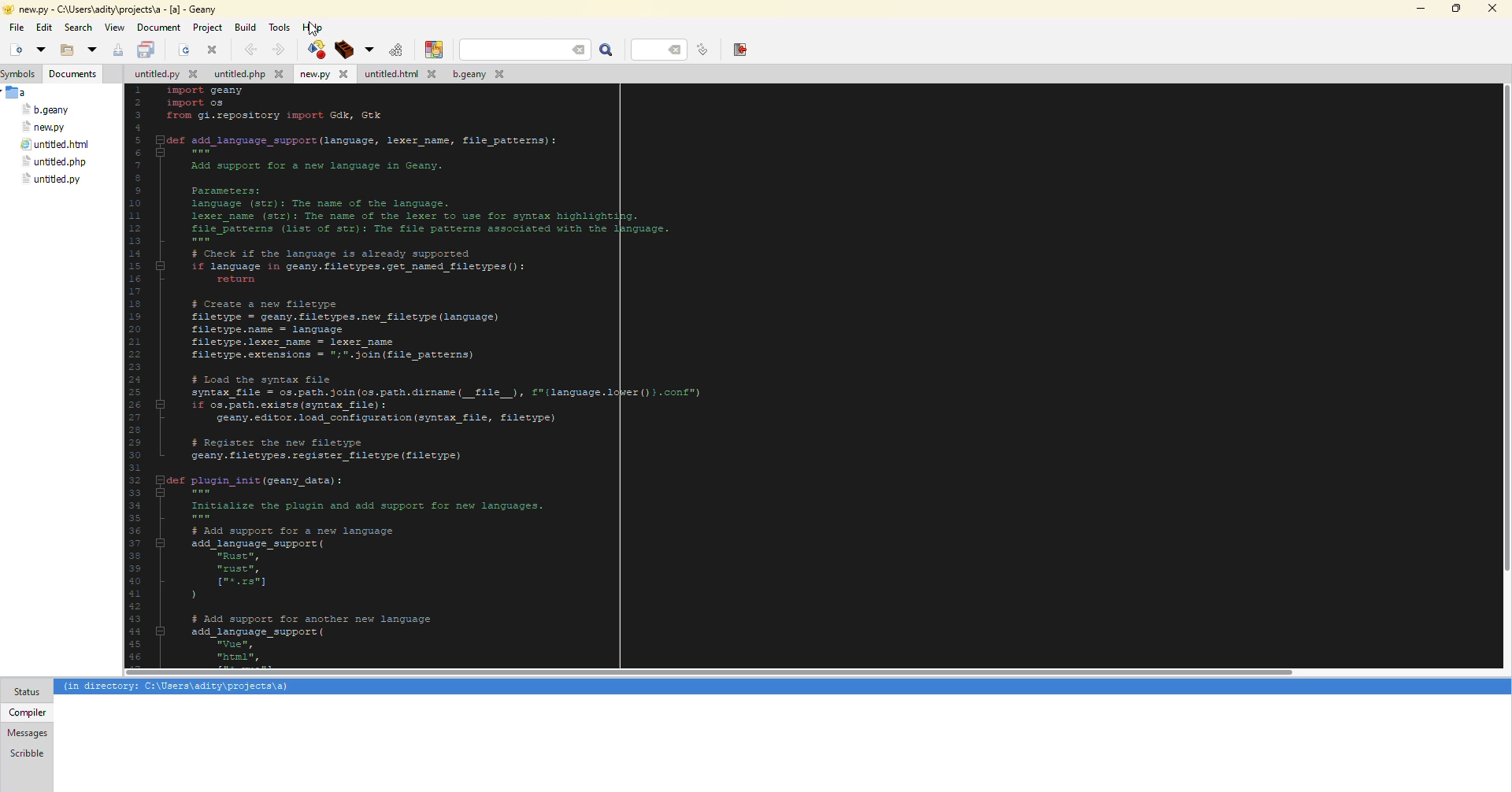 The width and height of the screenshot is (1512, 792). I want to click on build, so click(245, 26).